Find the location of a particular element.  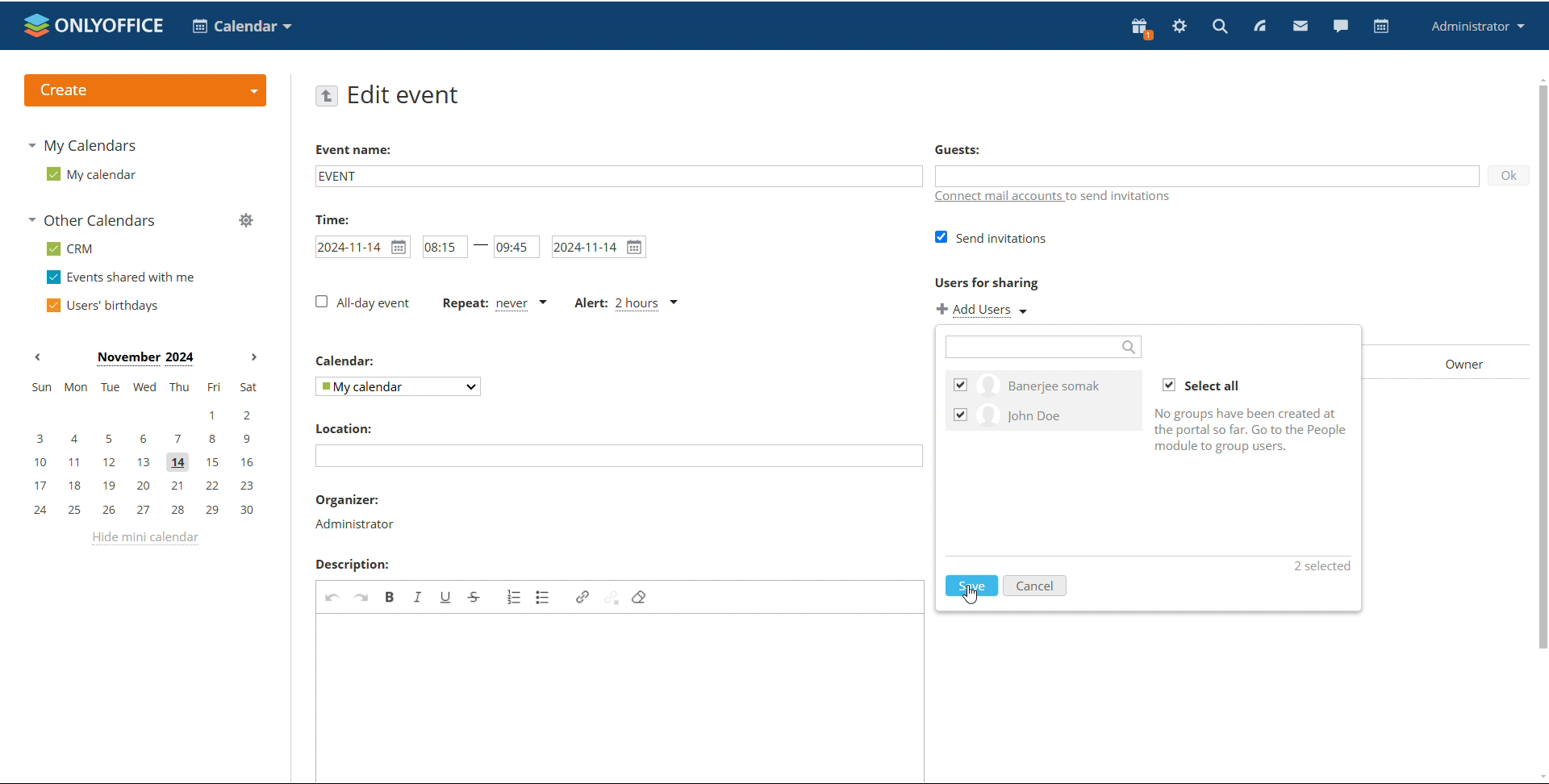

edit event is located at coordinates (408, 96).